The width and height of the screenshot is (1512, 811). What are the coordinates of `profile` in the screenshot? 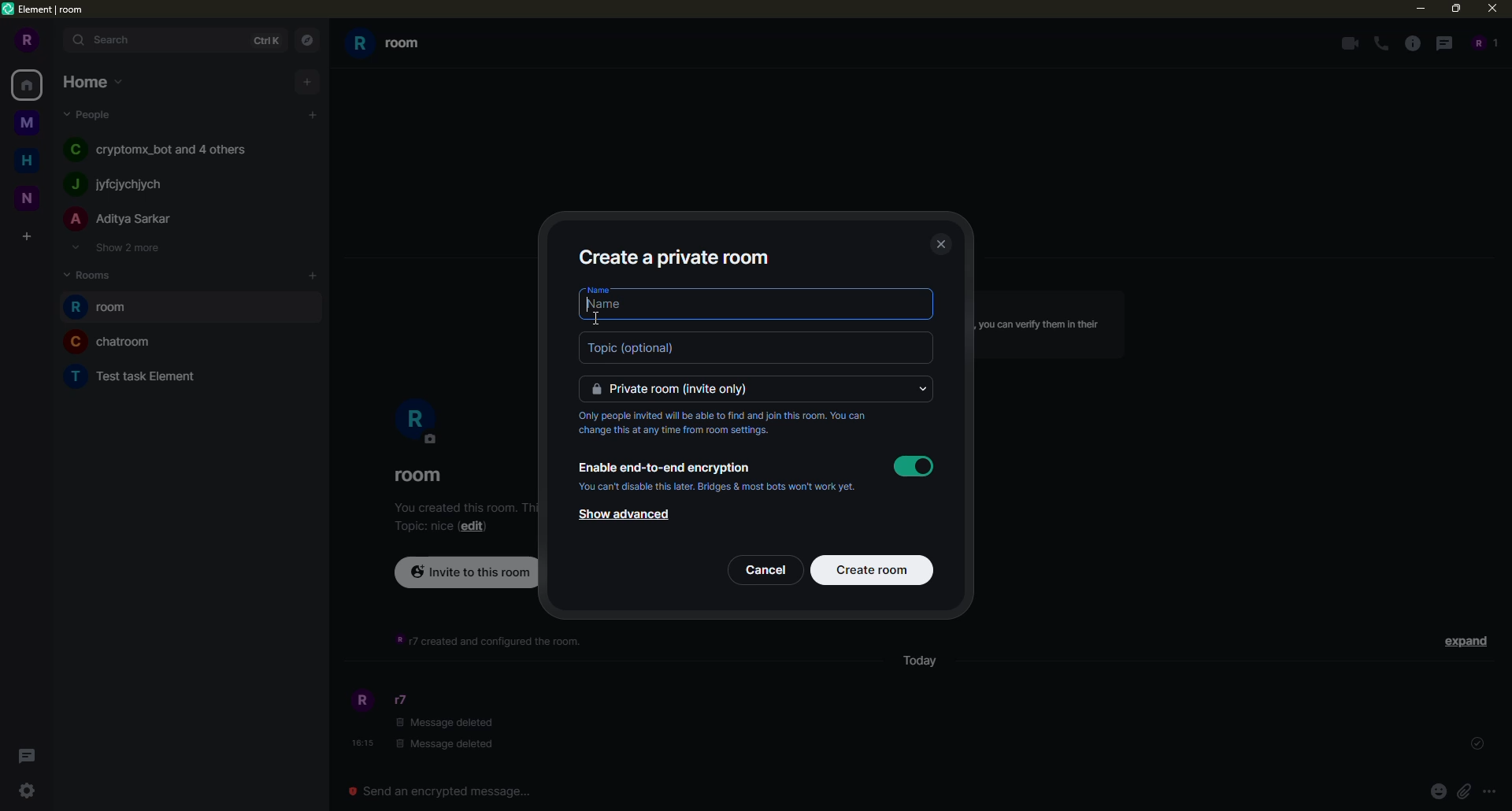 It's located at (360, 702).